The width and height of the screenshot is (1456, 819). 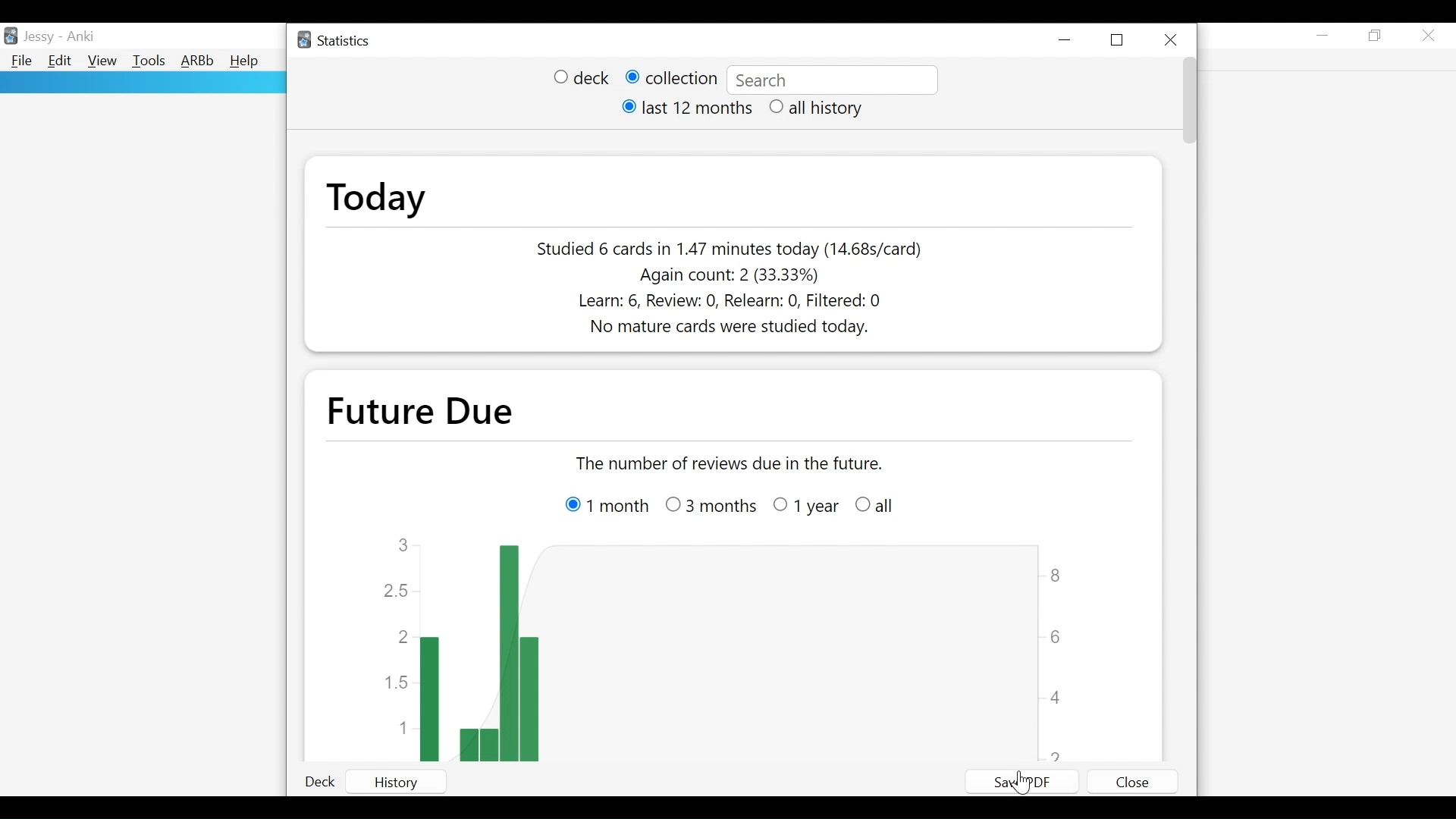 What do you see at coordinates (720, 328) in the screenshot?
I see `No mature cards were studied today` at bounding box center [720, 328].